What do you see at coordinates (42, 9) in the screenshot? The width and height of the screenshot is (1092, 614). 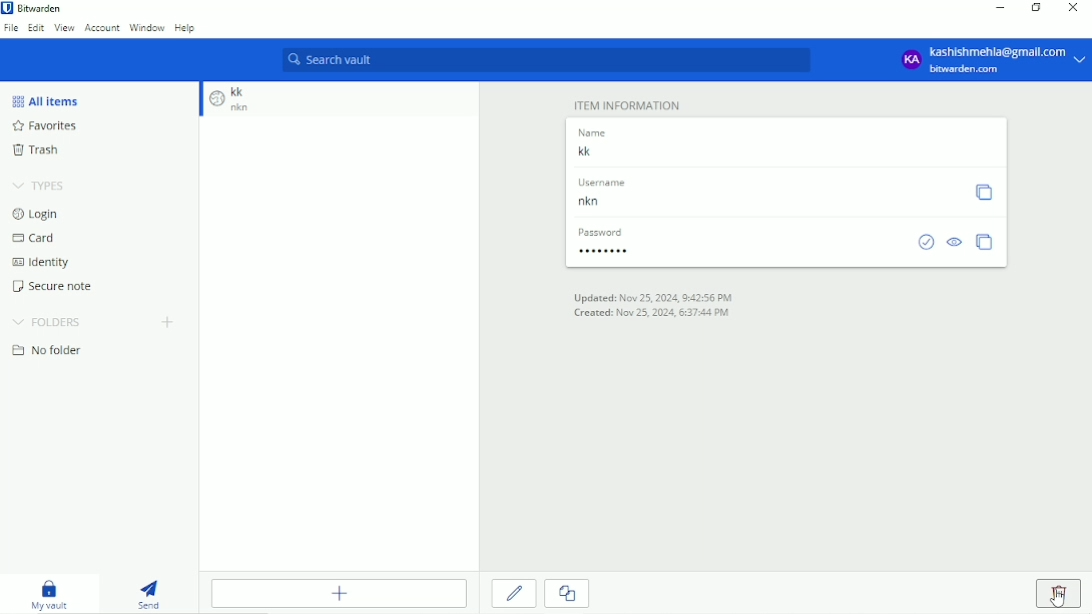 I see `Bitwarden` at bounding box center [42, 9].